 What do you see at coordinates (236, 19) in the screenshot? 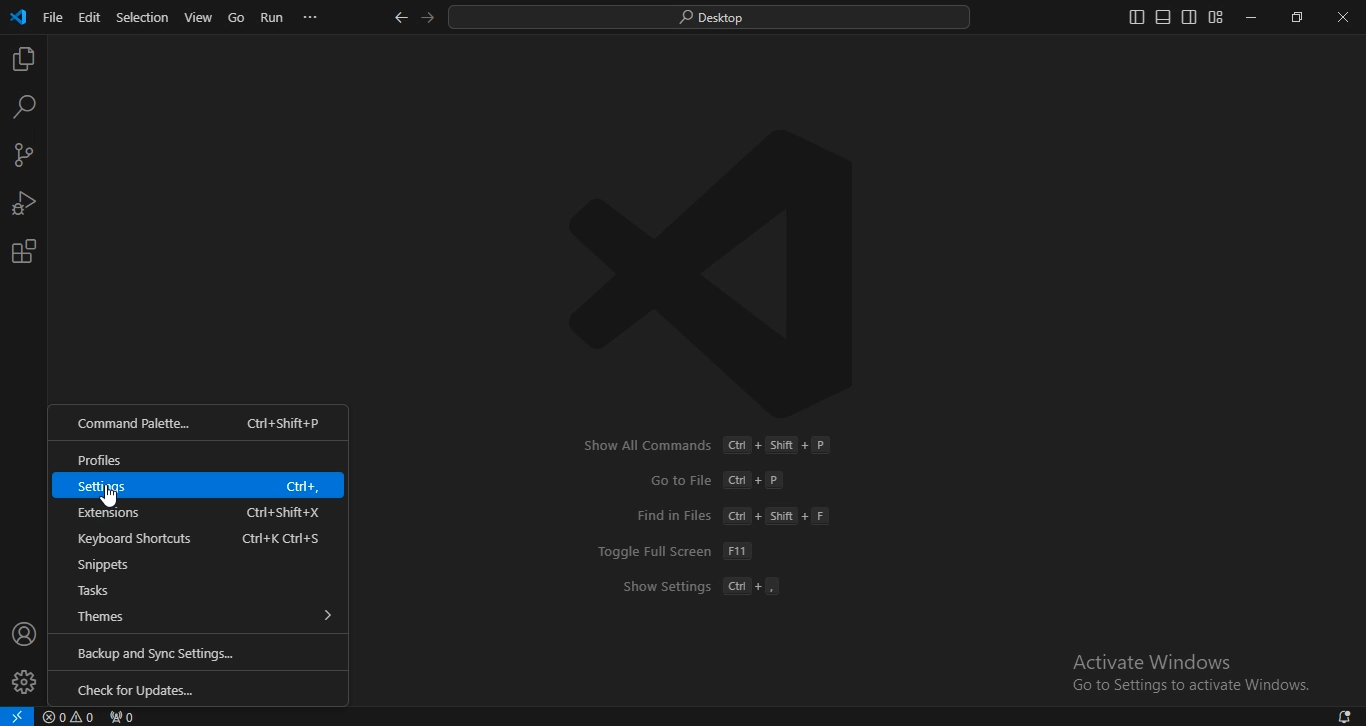
I see `go` at bounding box center [236, 19].